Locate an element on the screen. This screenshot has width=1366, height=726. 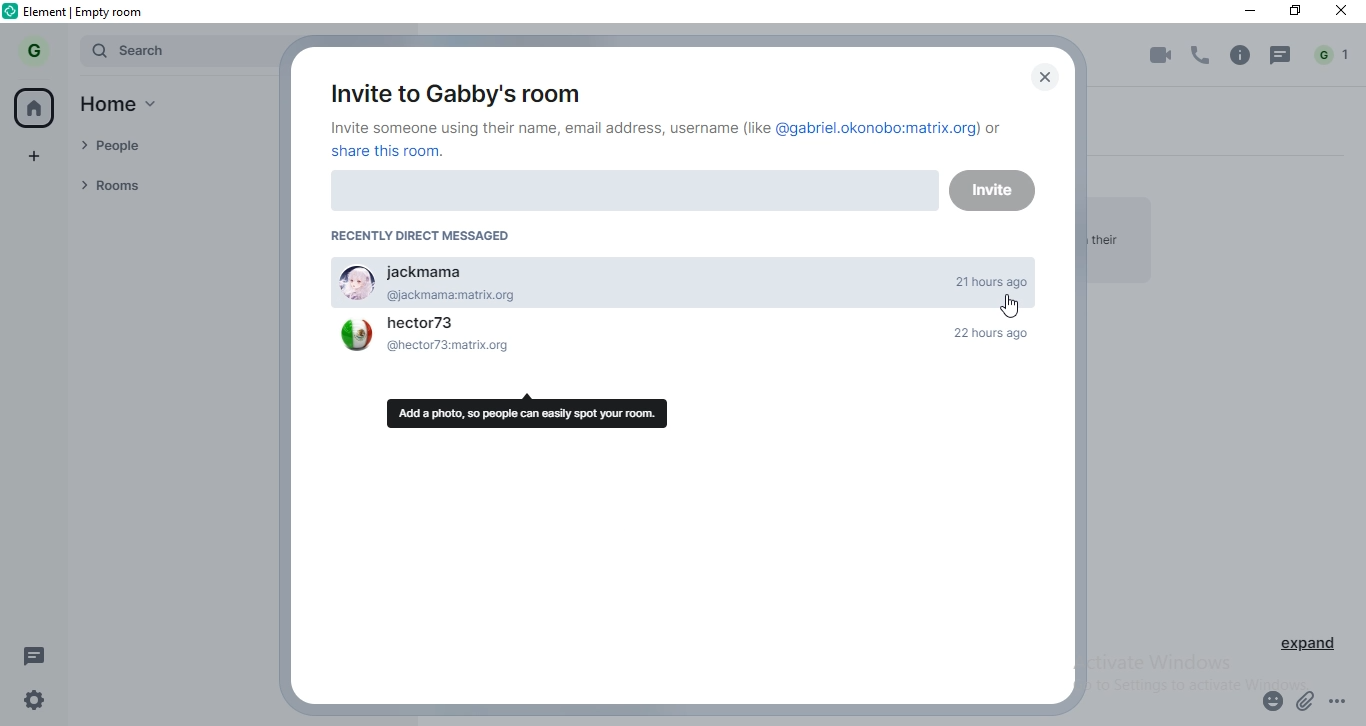
restore is located at coordinates (1295, 13).